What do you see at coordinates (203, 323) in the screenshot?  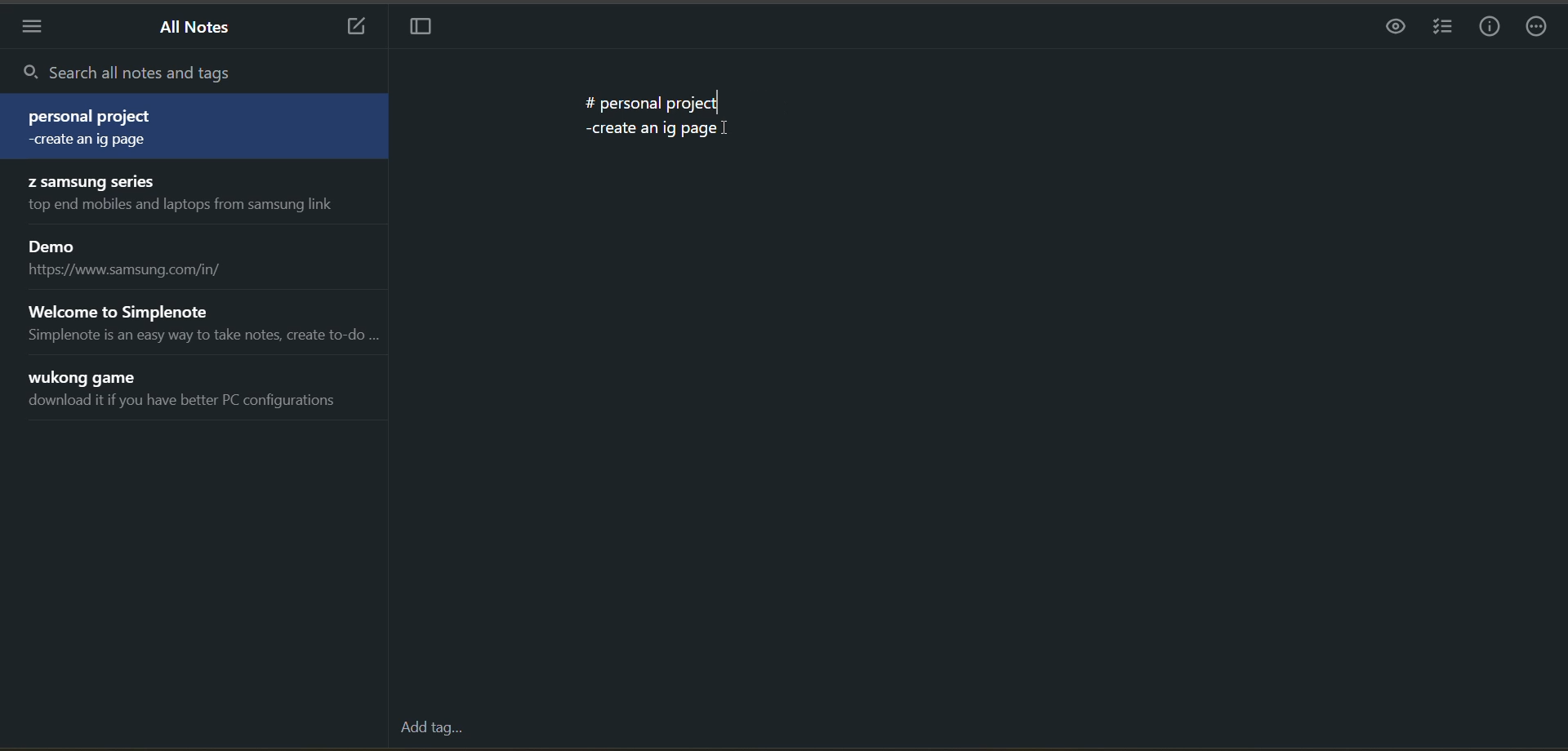 I see `note title and preview` at bounding box center [203, 323].